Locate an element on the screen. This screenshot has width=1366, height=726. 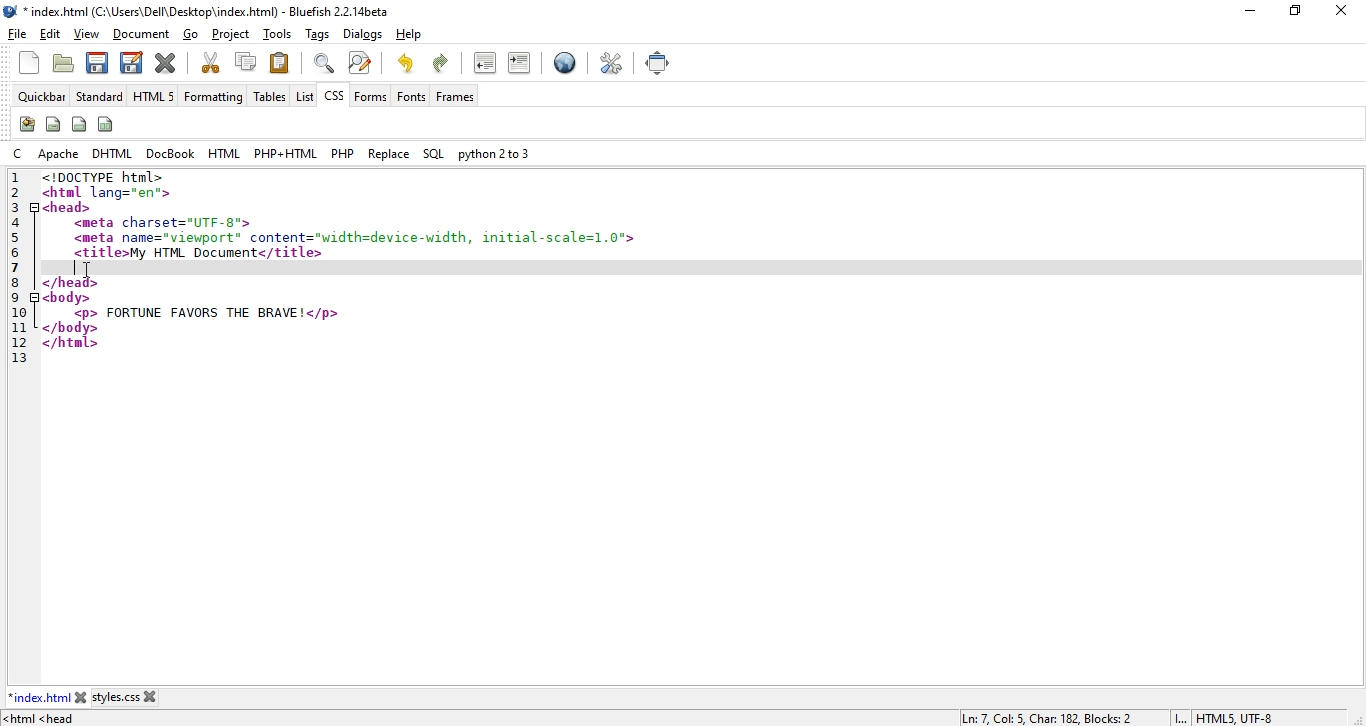
frames is located at coordinates (456, 97).